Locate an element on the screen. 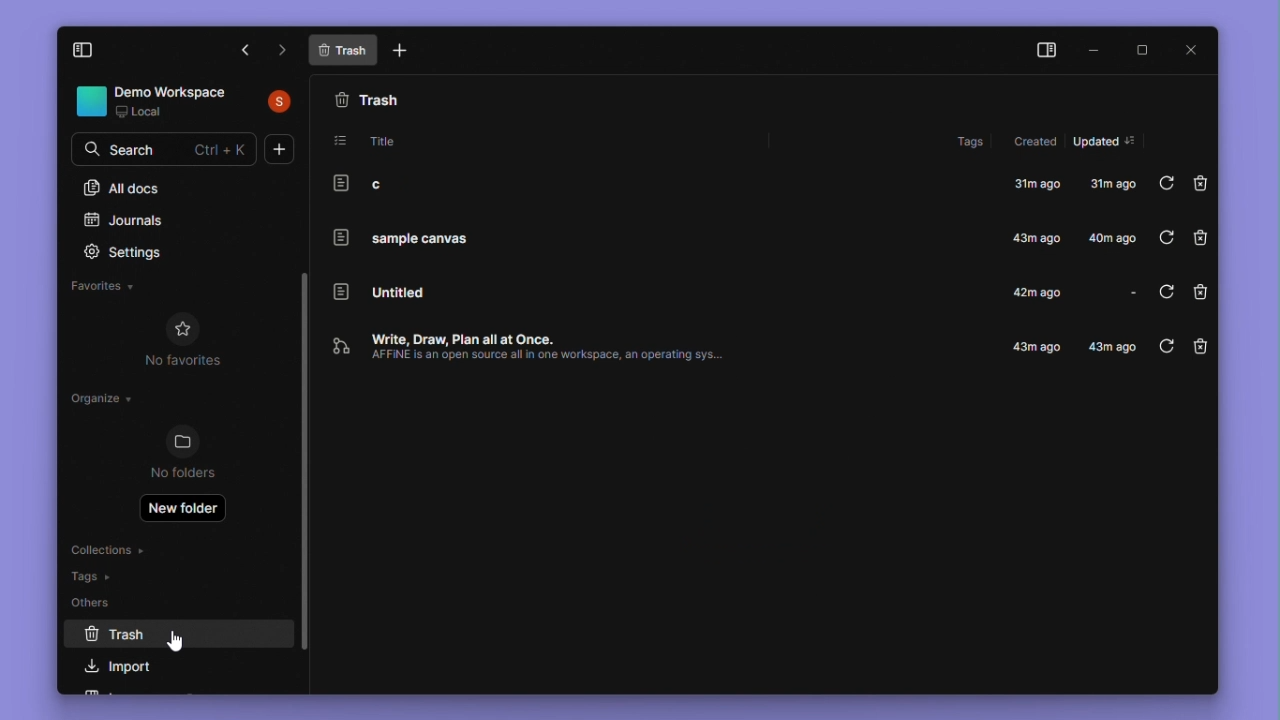  close is located at coordinates (1190, 47).